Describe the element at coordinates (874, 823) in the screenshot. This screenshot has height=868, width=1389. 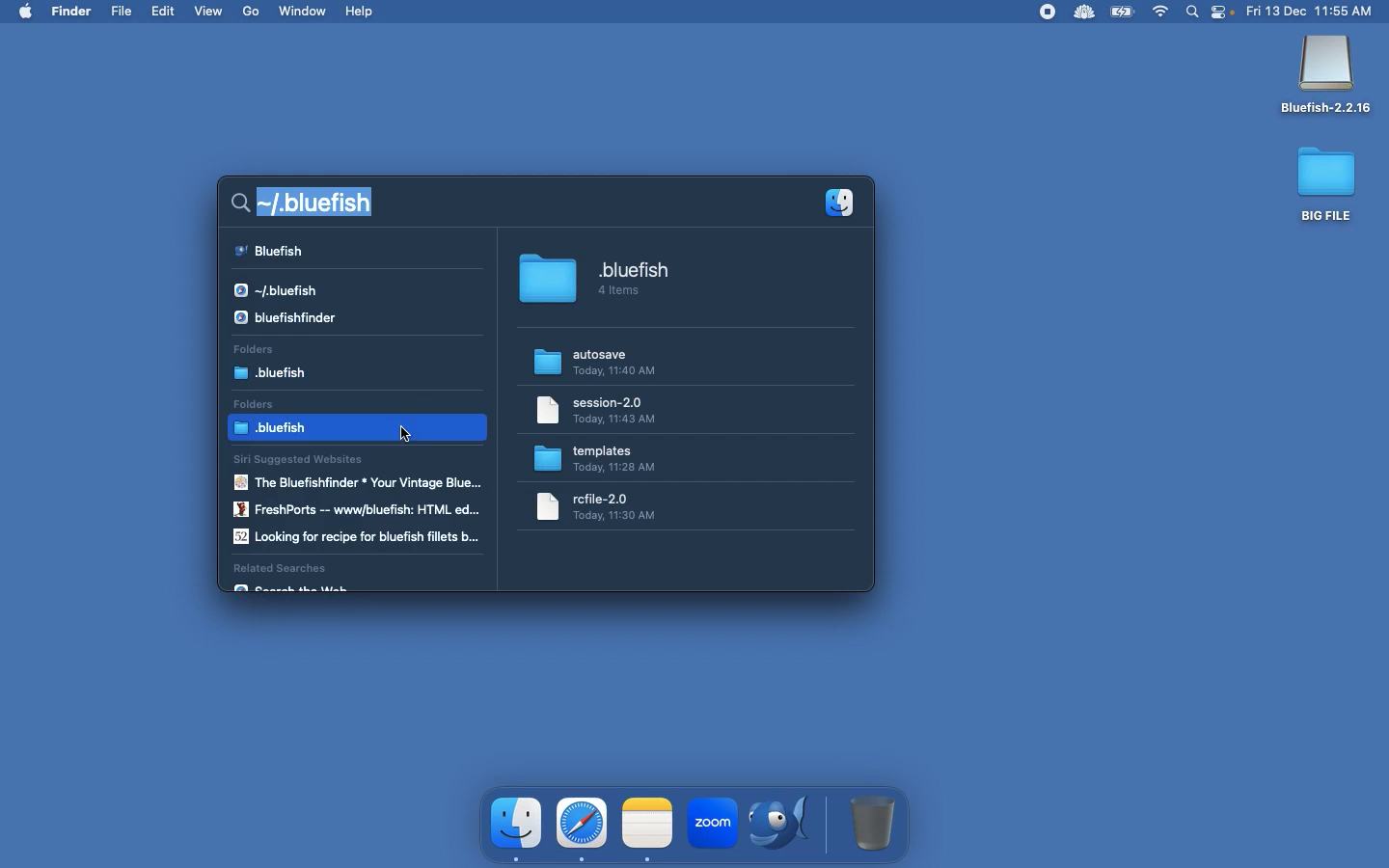
I see `Trash` at that location.